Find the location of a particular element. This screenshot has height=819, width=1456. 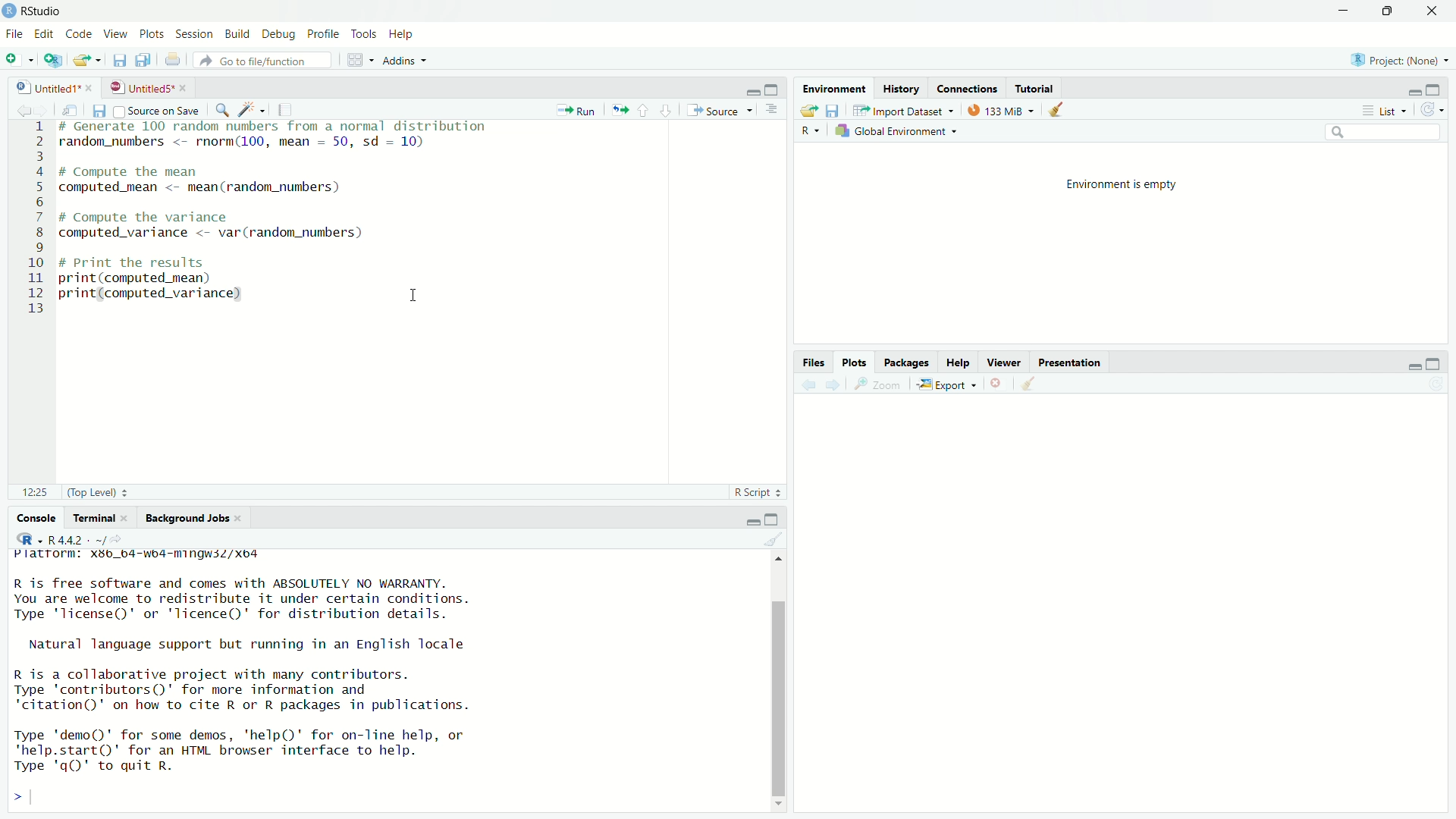

# Print the results is located at coordinates (168, 264).